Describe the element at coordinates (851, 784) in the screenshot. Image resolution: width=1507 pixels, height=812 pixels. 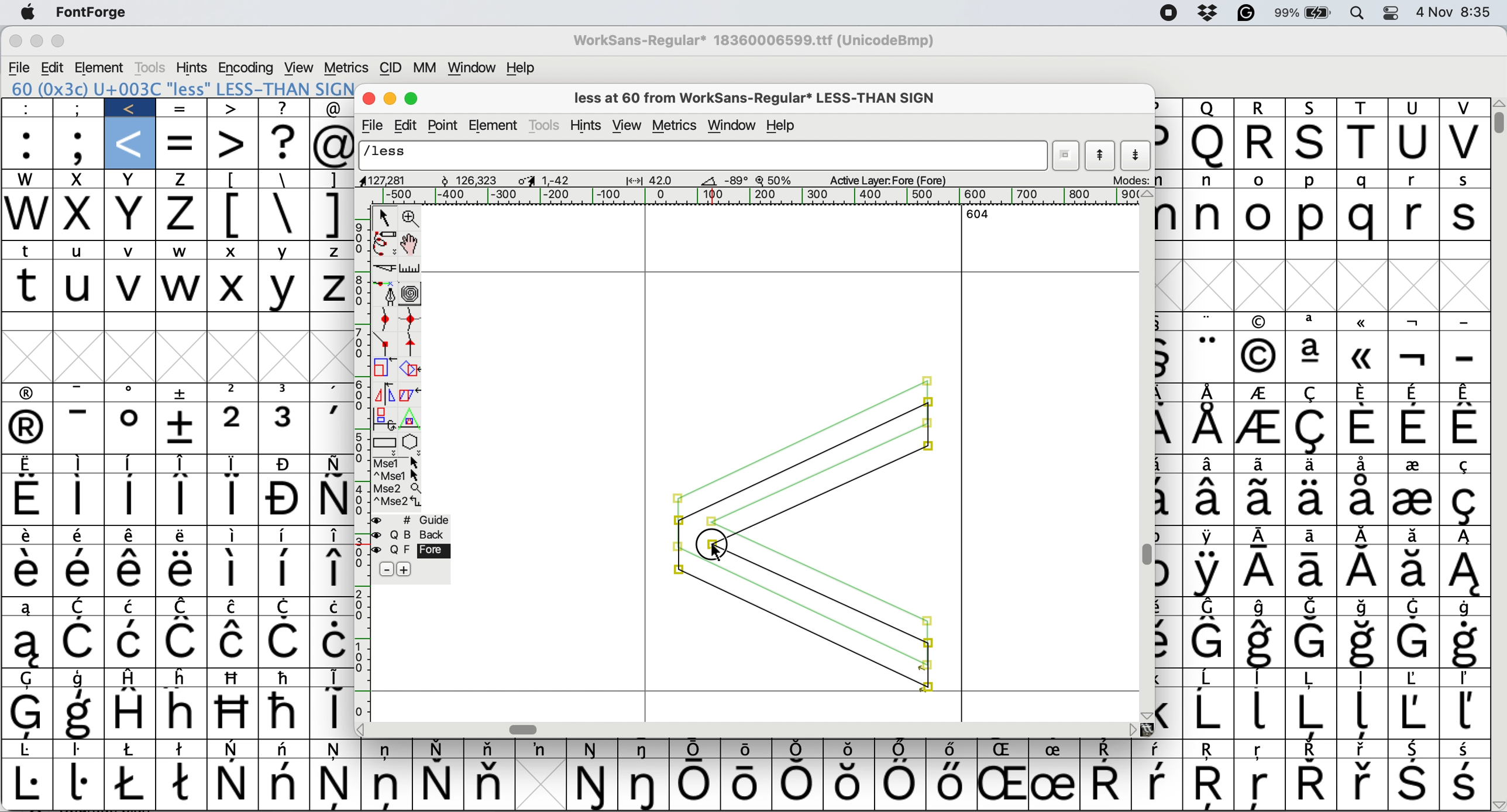
I see `Symbol` at that location.